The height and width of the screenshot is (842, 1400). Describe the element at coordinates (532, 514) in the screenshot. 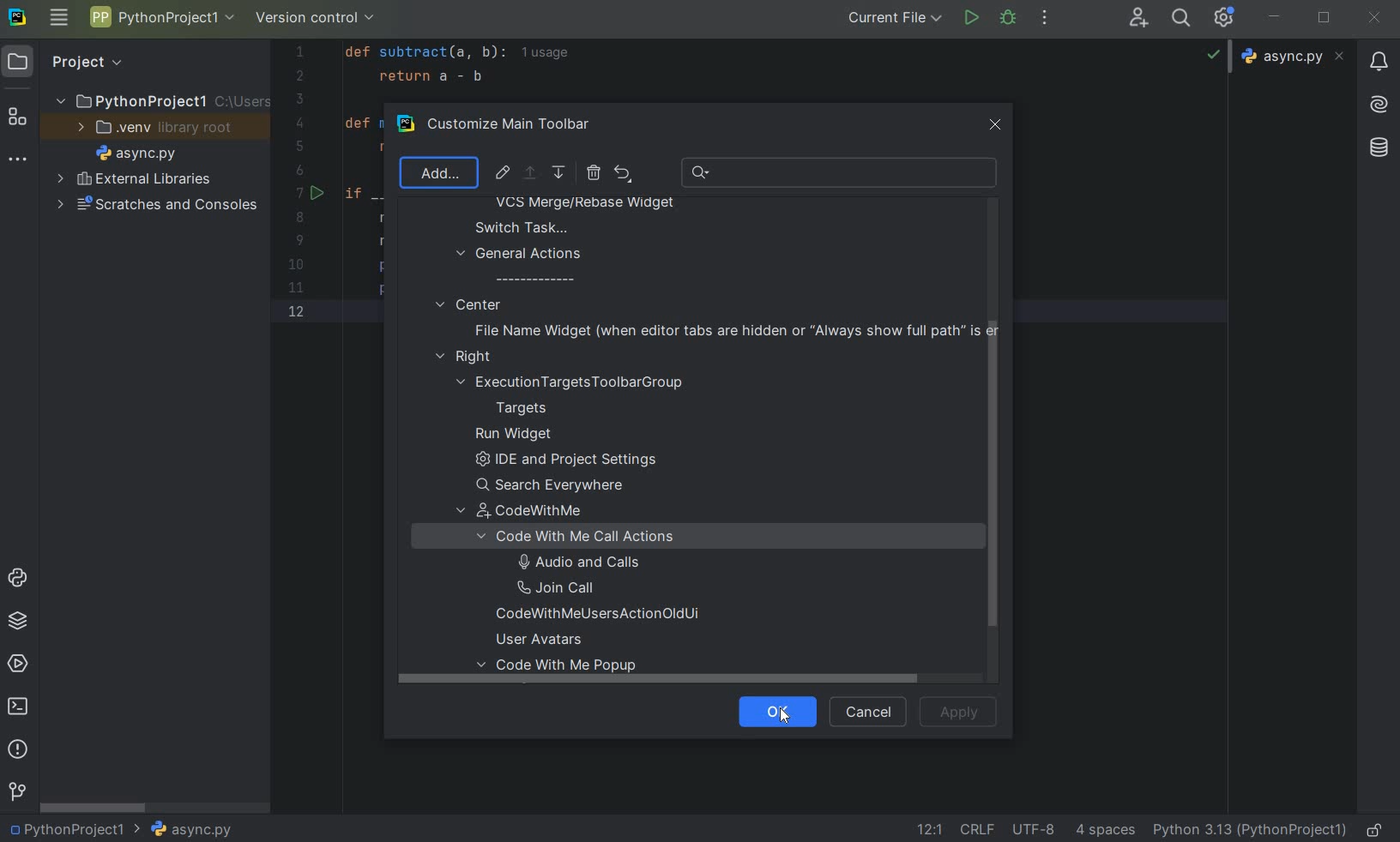

I see `codewithme` at that location.